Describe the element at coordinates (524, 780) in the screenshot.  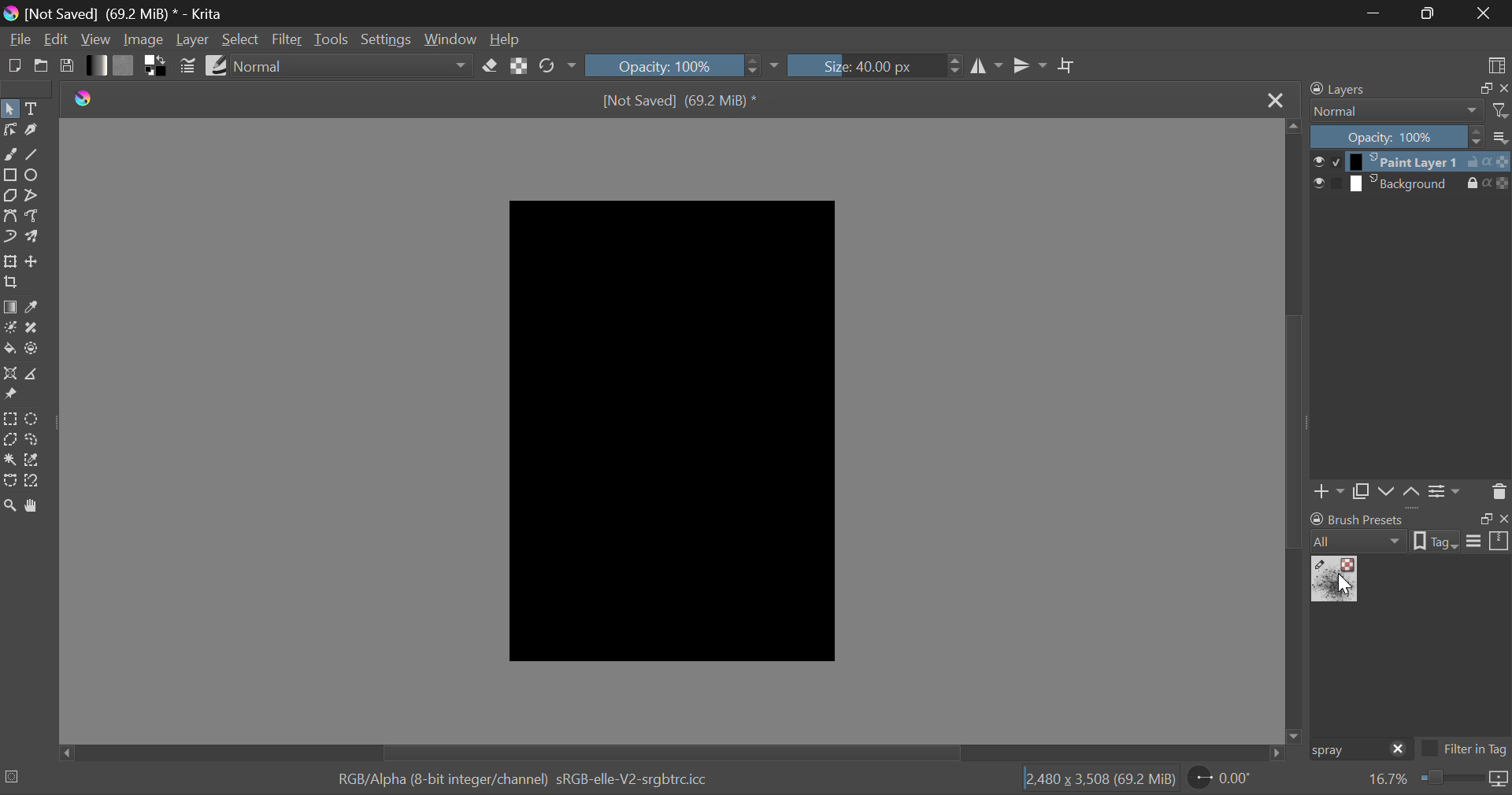
I see `RGB/Alpha (8-bit integer/channel) sRGB-elle-V2-srgbtrcicc` at that location.